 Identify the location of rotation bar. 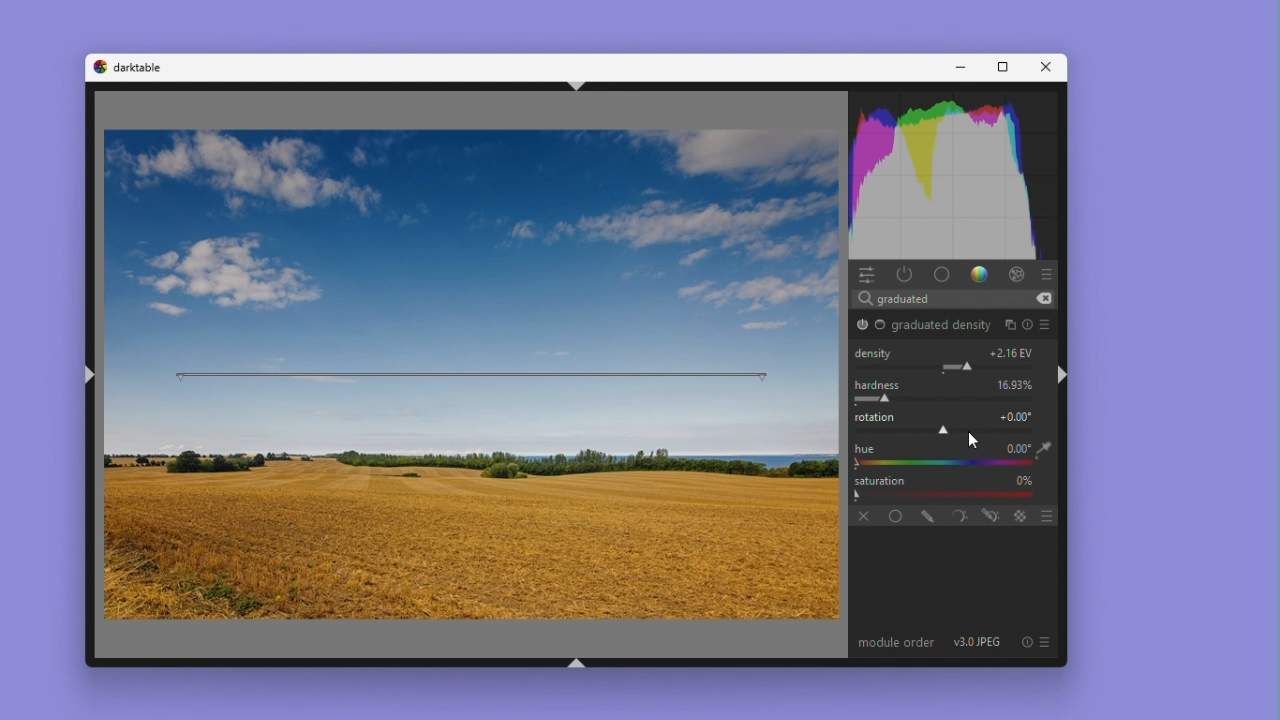
(472, 375).